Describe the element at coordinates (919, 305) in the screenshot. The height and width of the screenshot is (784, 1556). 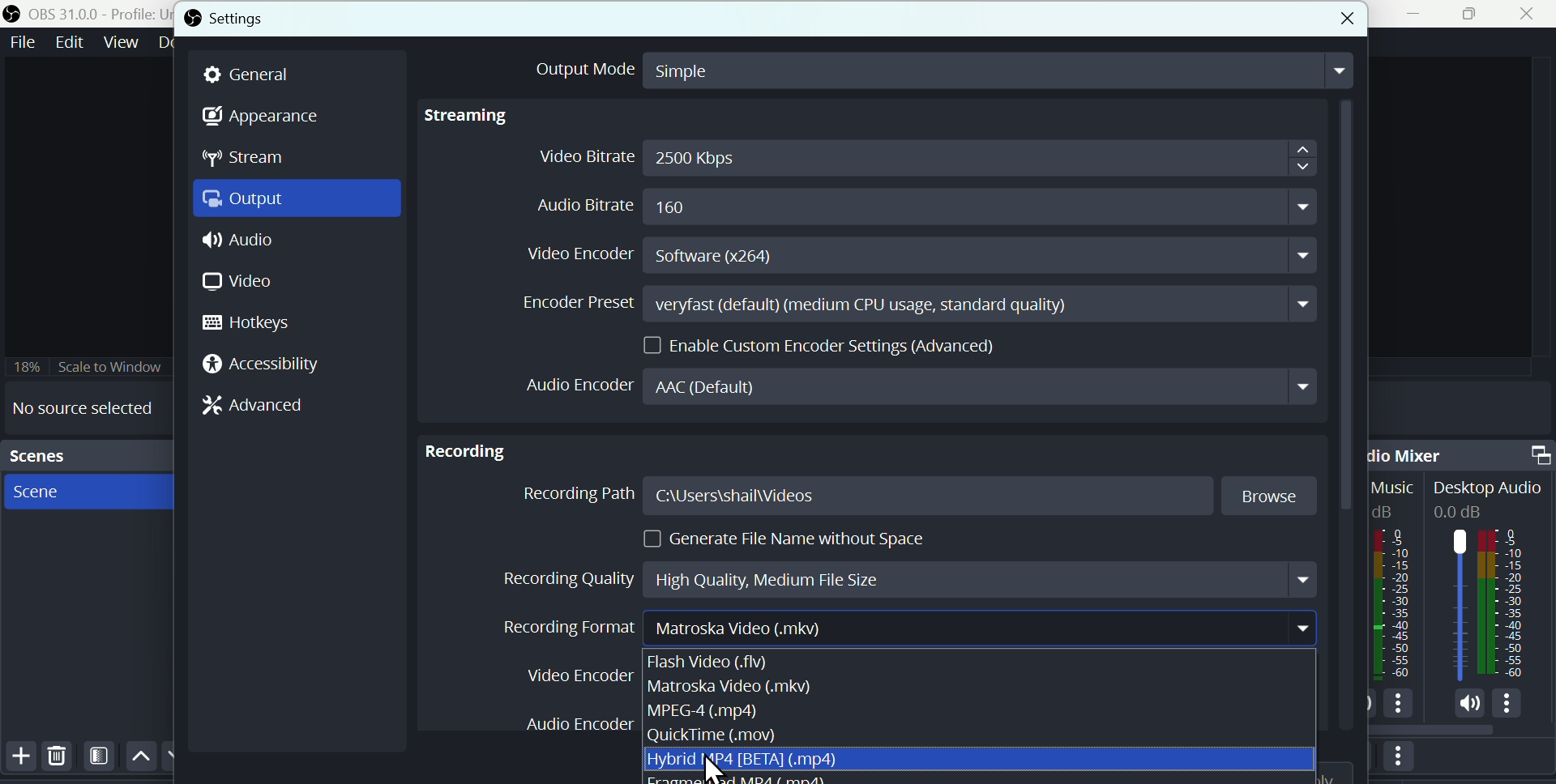
I see `Encoder preset` at that location.